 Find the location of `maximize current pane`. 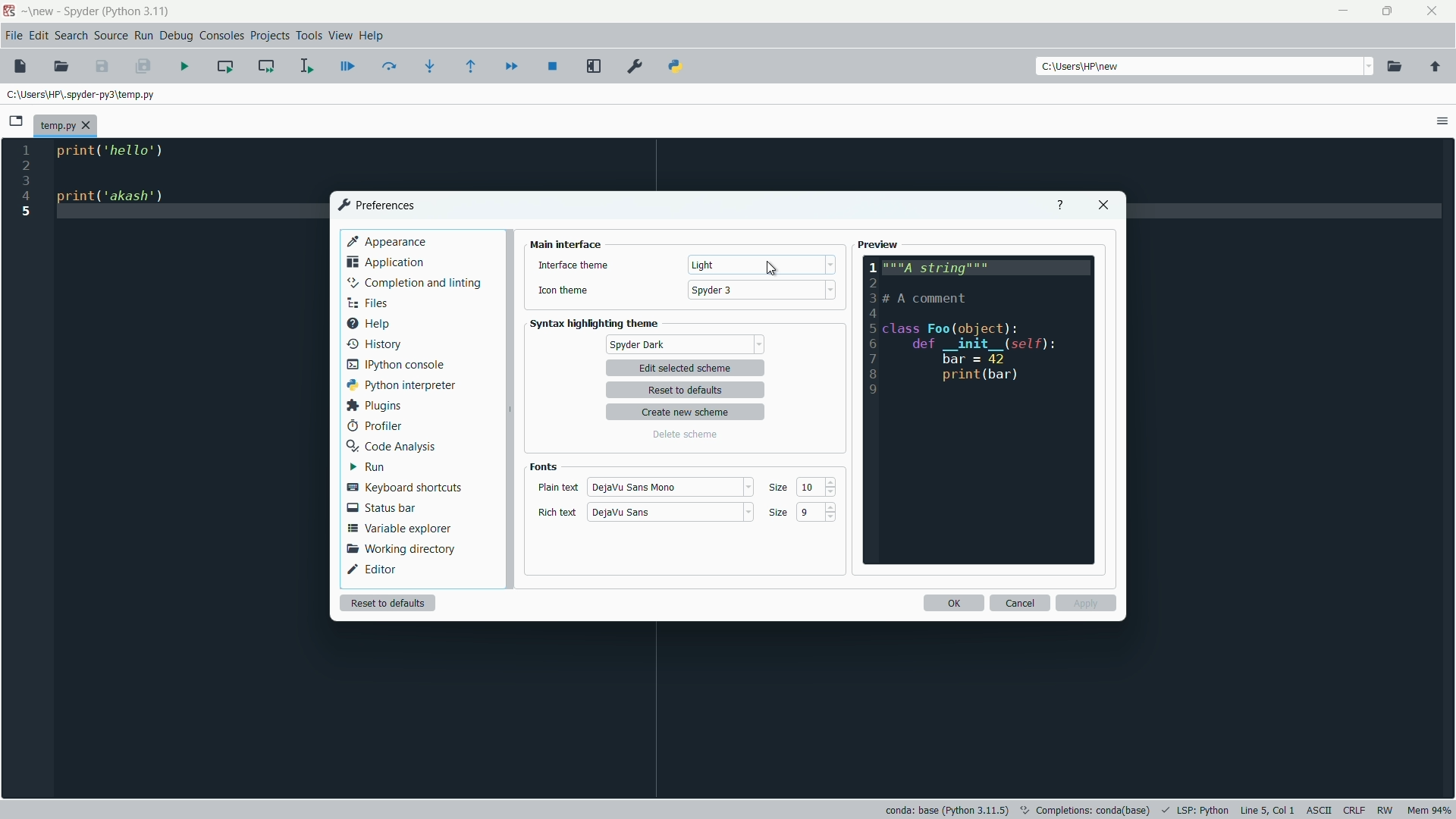

maximize current pane is located at coordinates (595, 67).